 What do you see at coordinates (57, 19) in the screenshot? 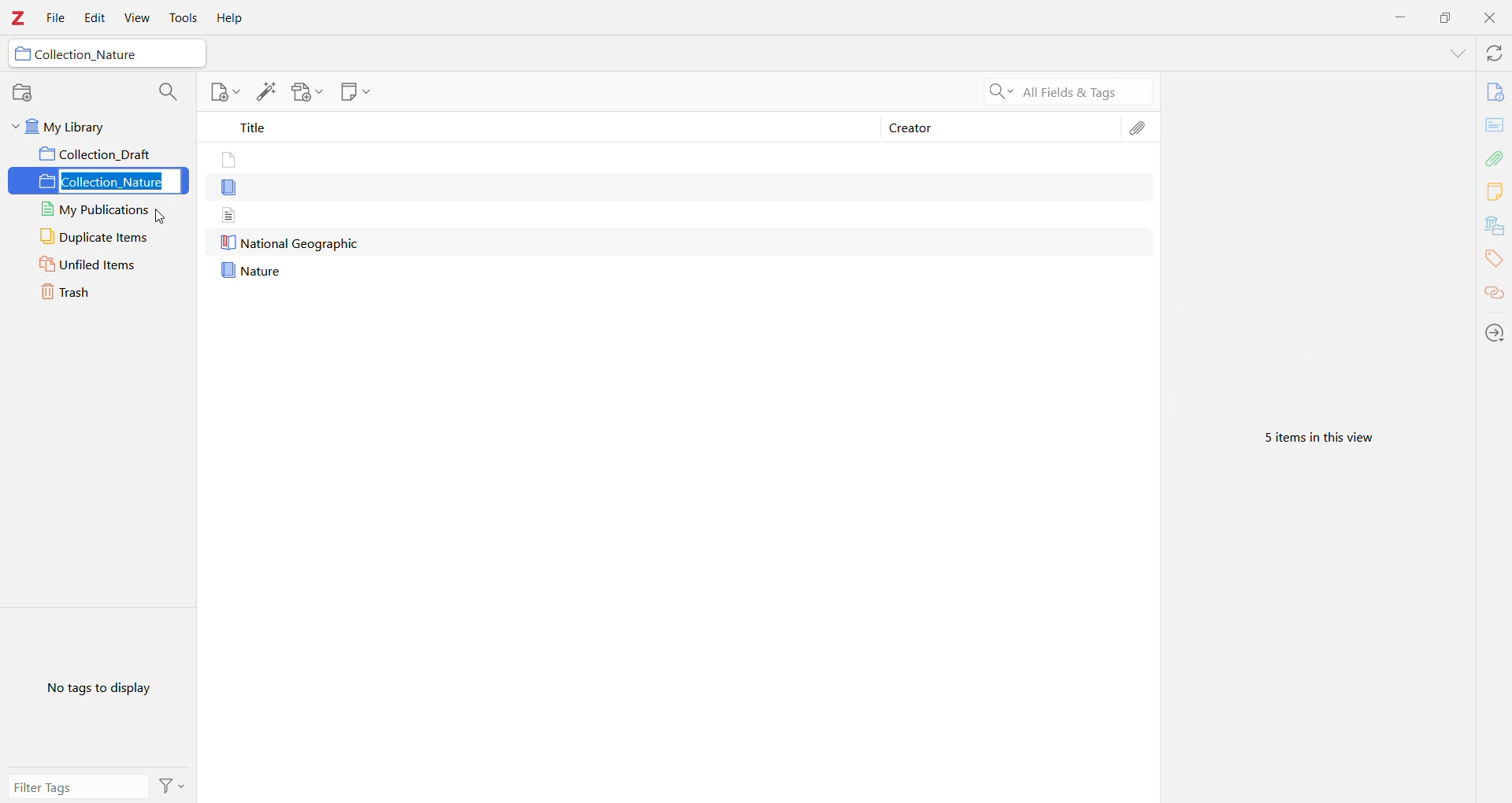
I see `File` at bounding box center [57, 19].